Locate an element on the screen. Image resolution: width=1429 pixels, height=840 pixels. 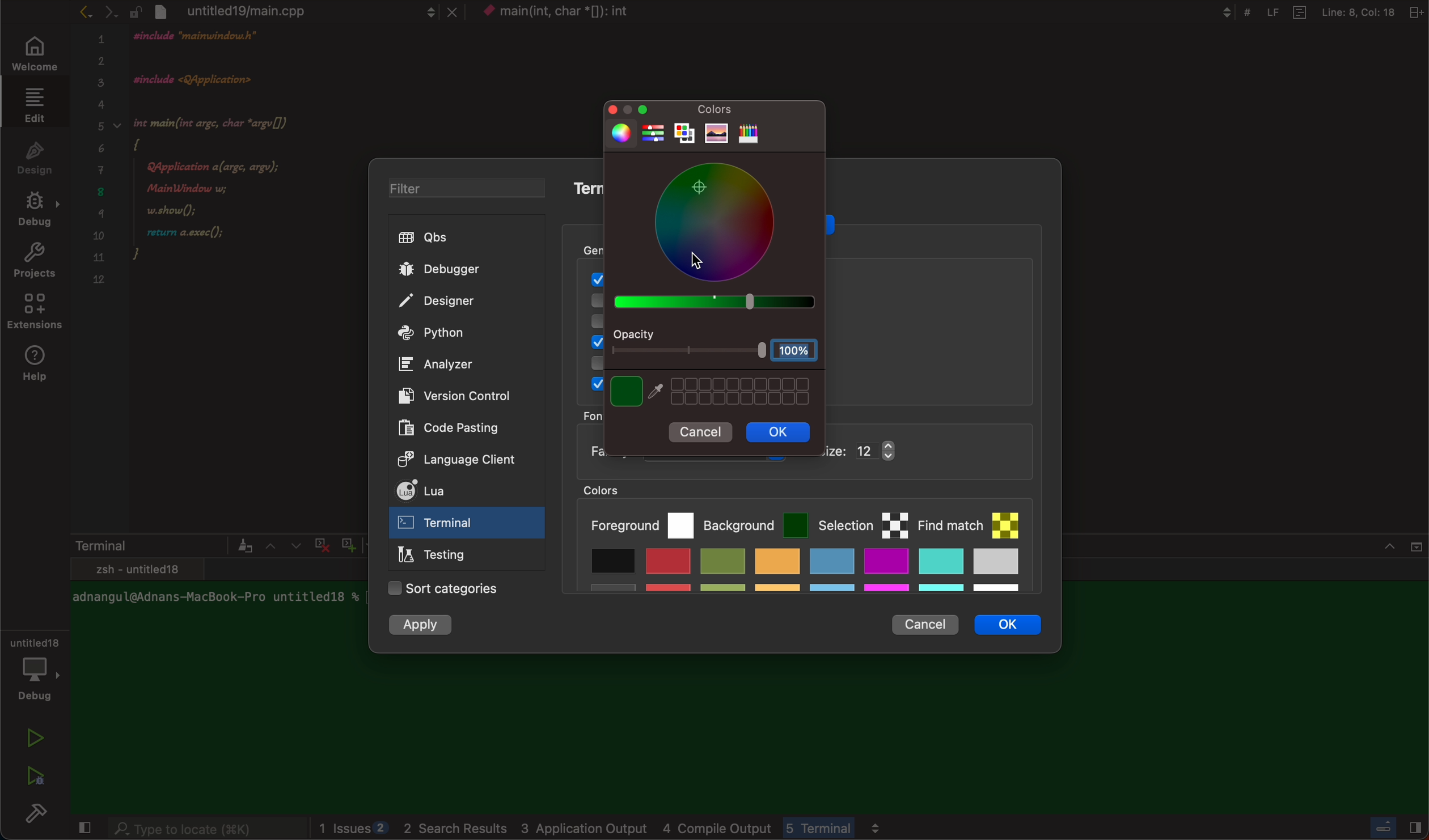
file information is located at coordinates (1313, 12).